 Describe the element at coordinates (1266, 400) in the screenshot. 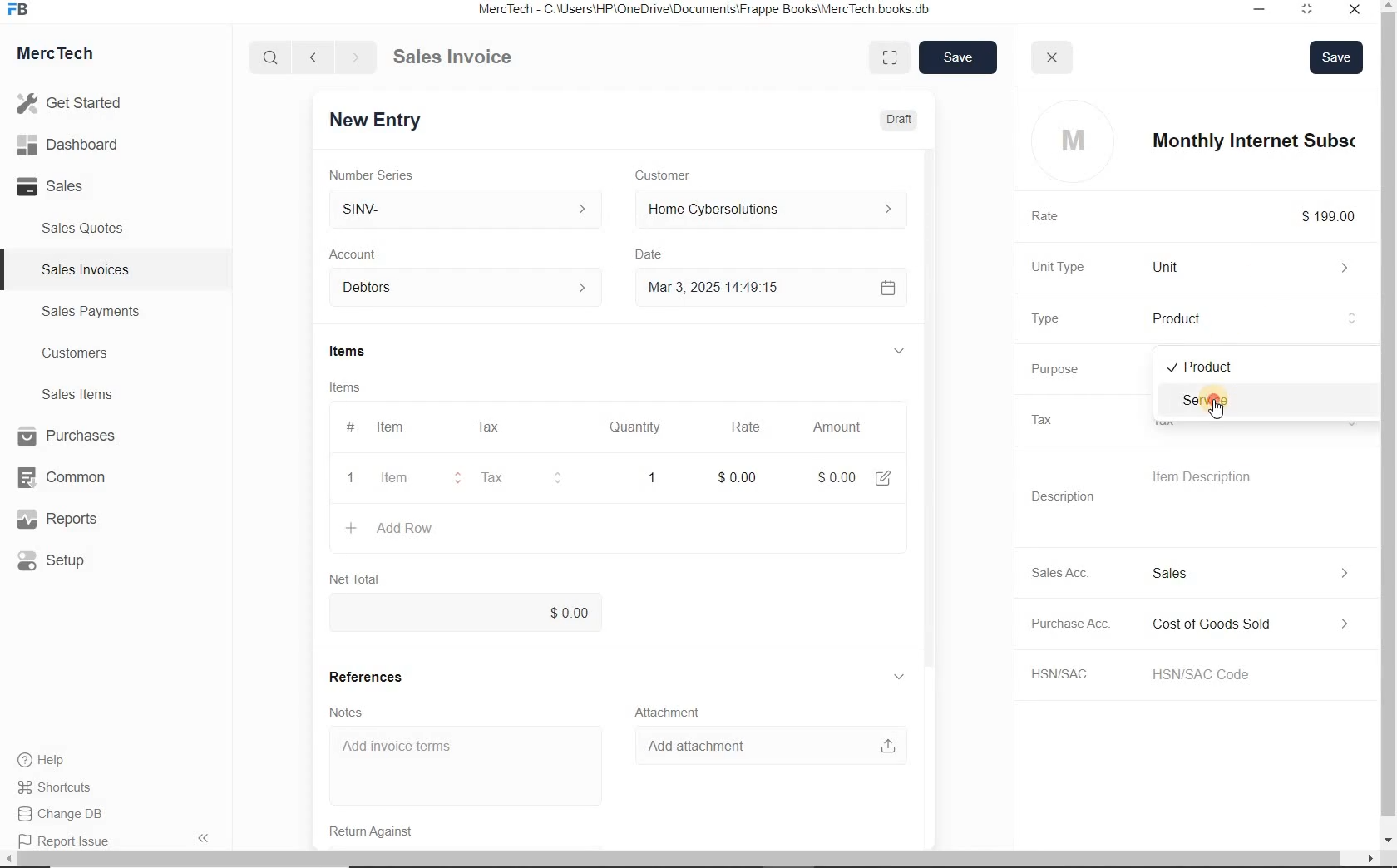

I see `service` at that location.